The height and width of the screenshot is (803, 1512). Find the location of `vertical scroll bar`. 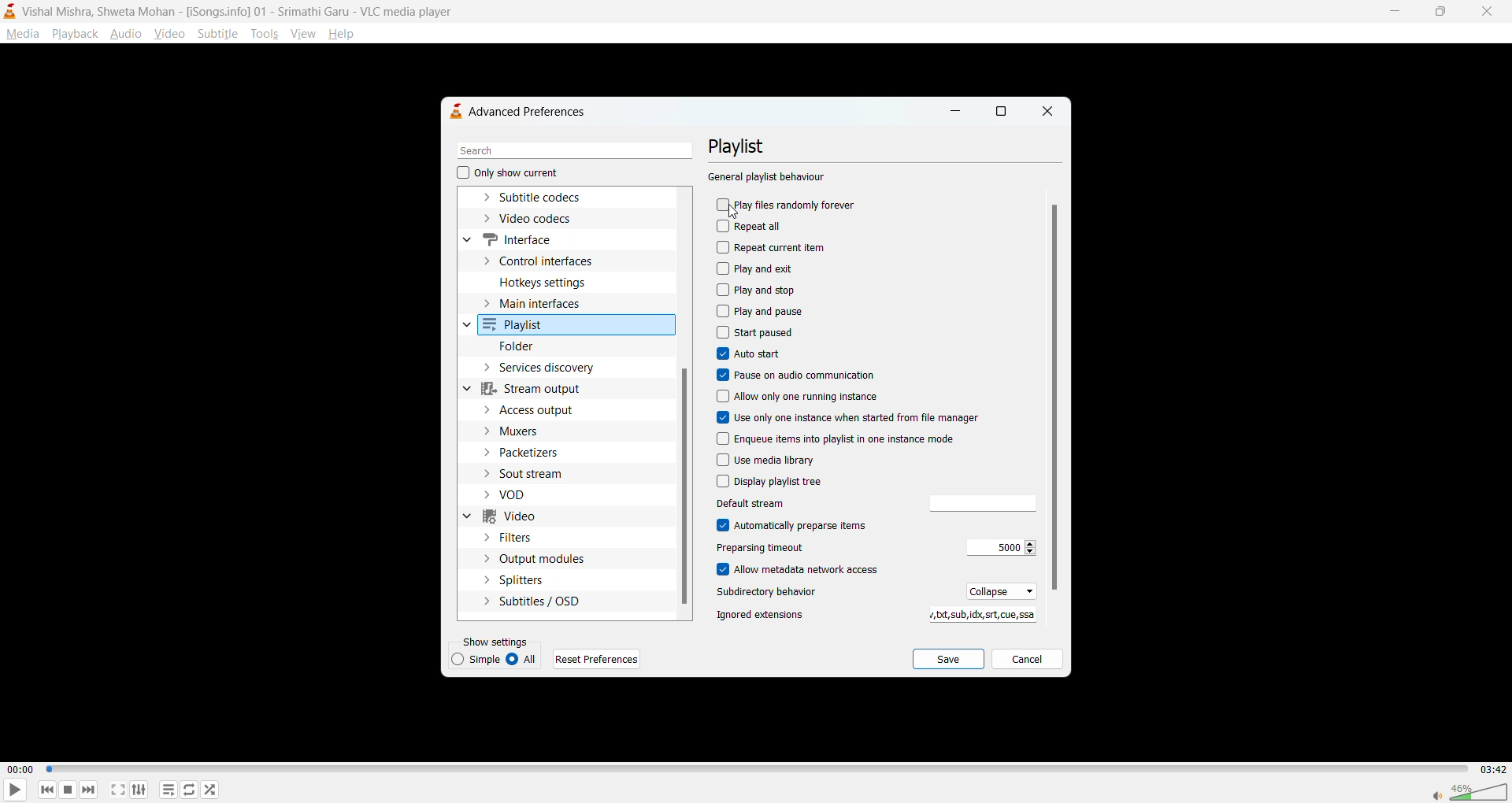

vertical scroll bar is located at coordinates (685, 487).